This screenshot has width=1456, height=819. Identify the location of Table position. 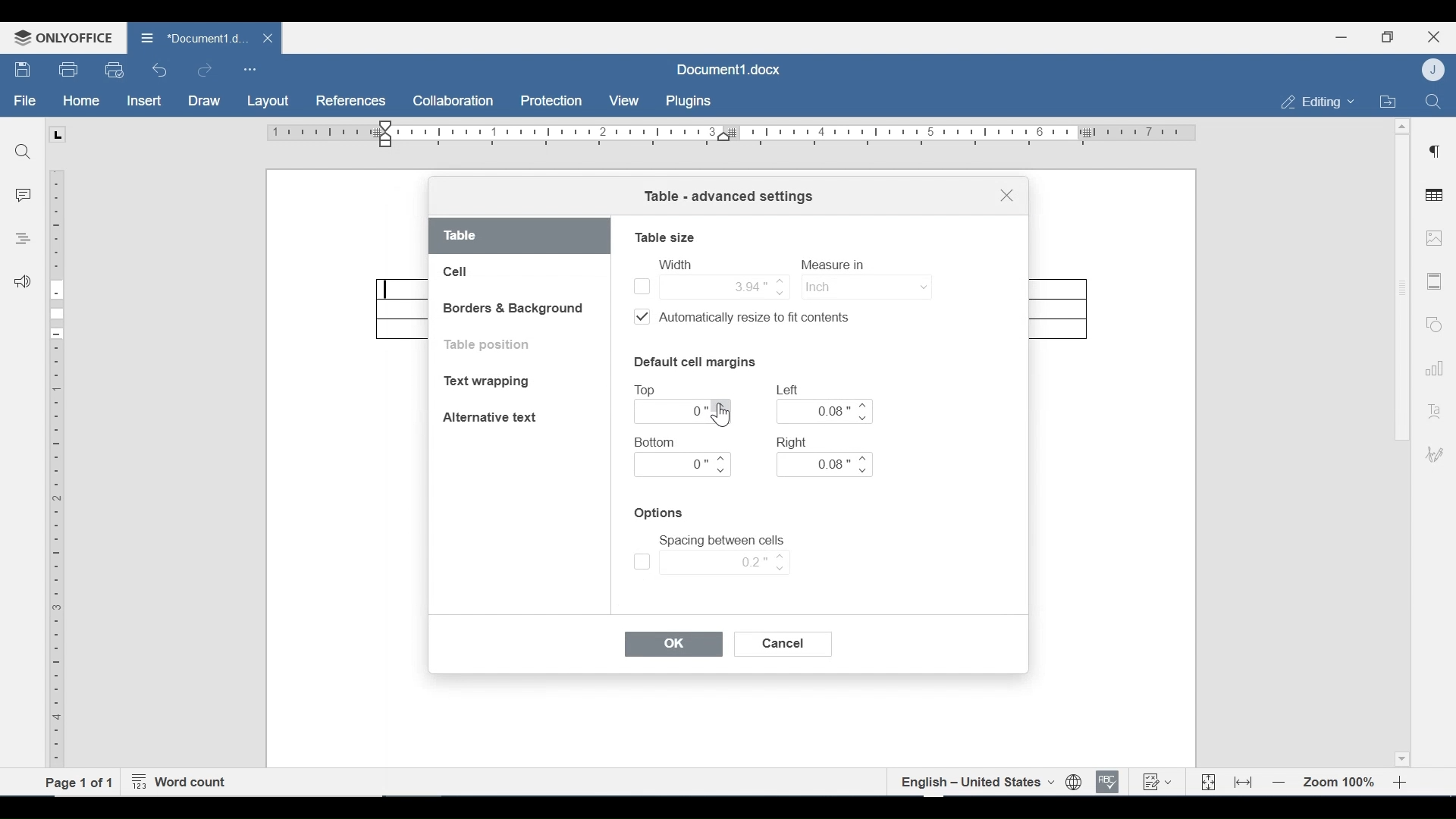
(491, 345).